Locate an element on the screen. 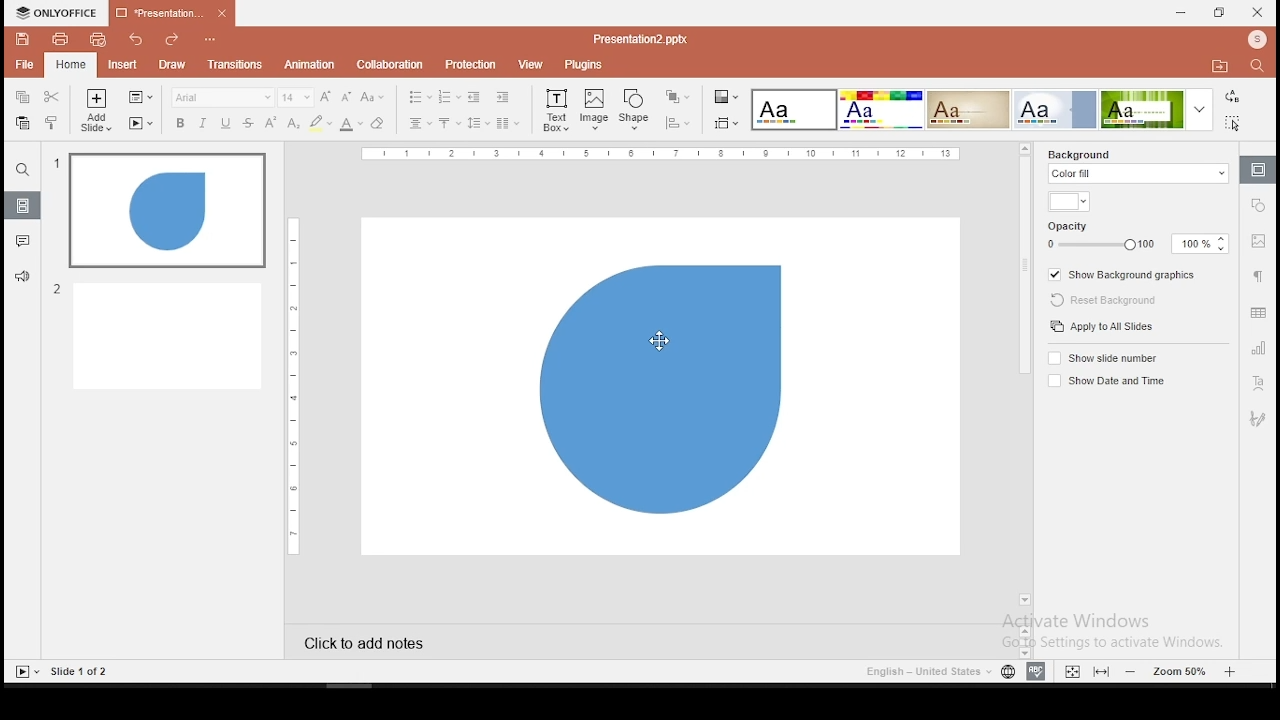 Image resolution: width=1280 pixels, height=720 pixels. reset background is located at coordinates (1104, 301).